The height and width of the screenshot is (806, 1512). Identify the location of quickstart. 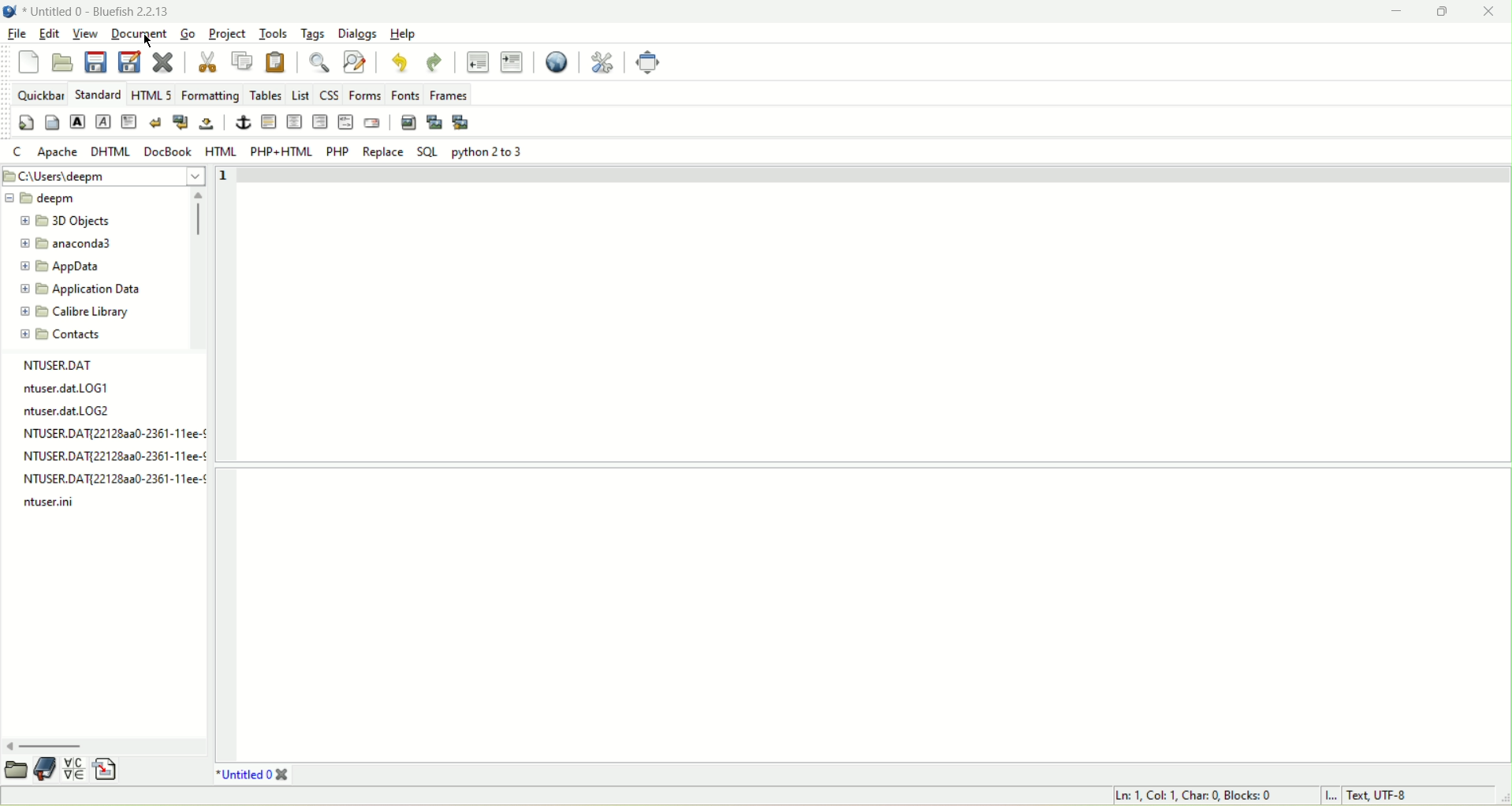
(27, 122).